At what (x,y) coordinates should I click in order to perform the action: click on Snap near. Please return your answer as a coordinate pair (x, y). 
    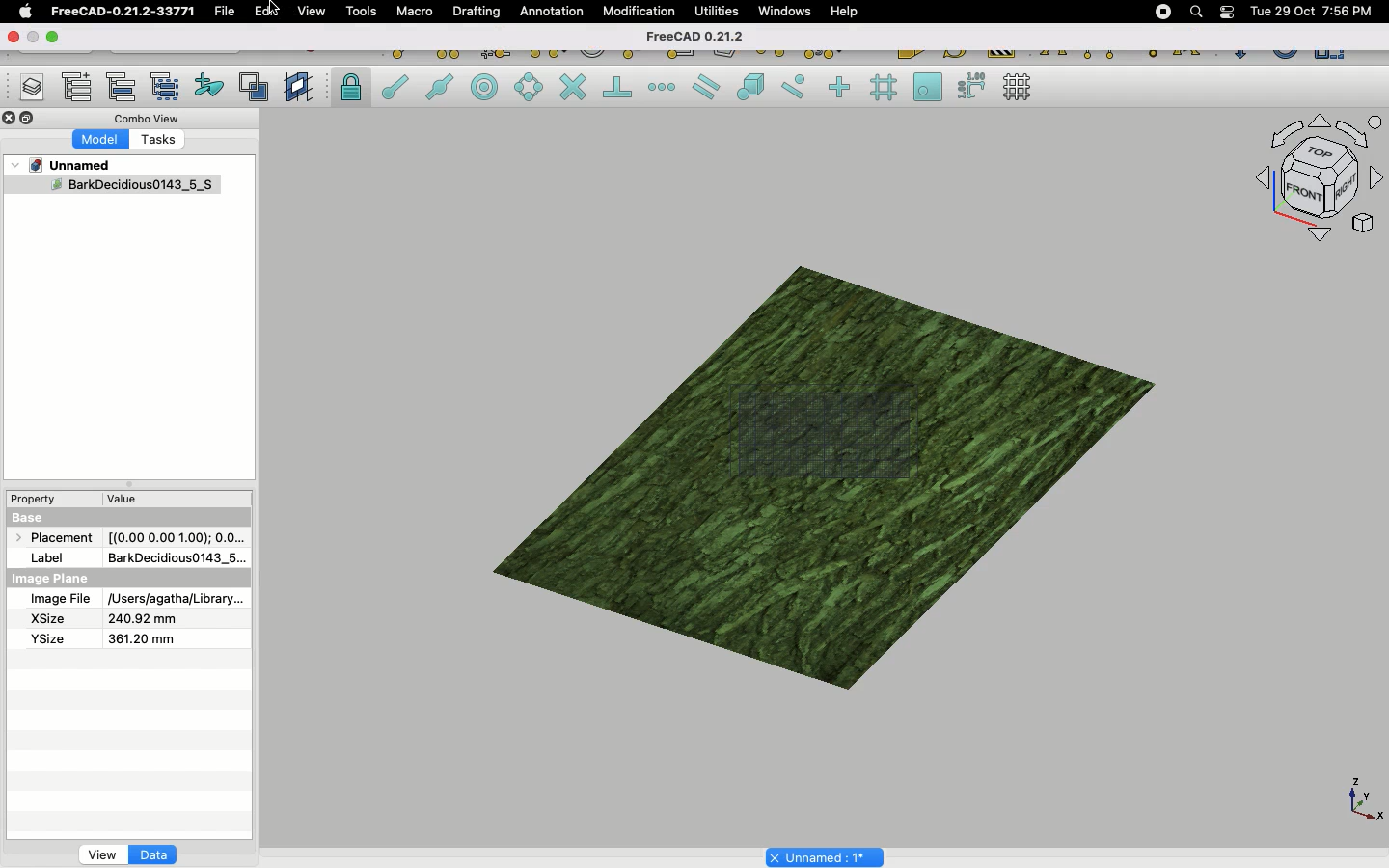
    Looking at the image, I should click on (799, 87).